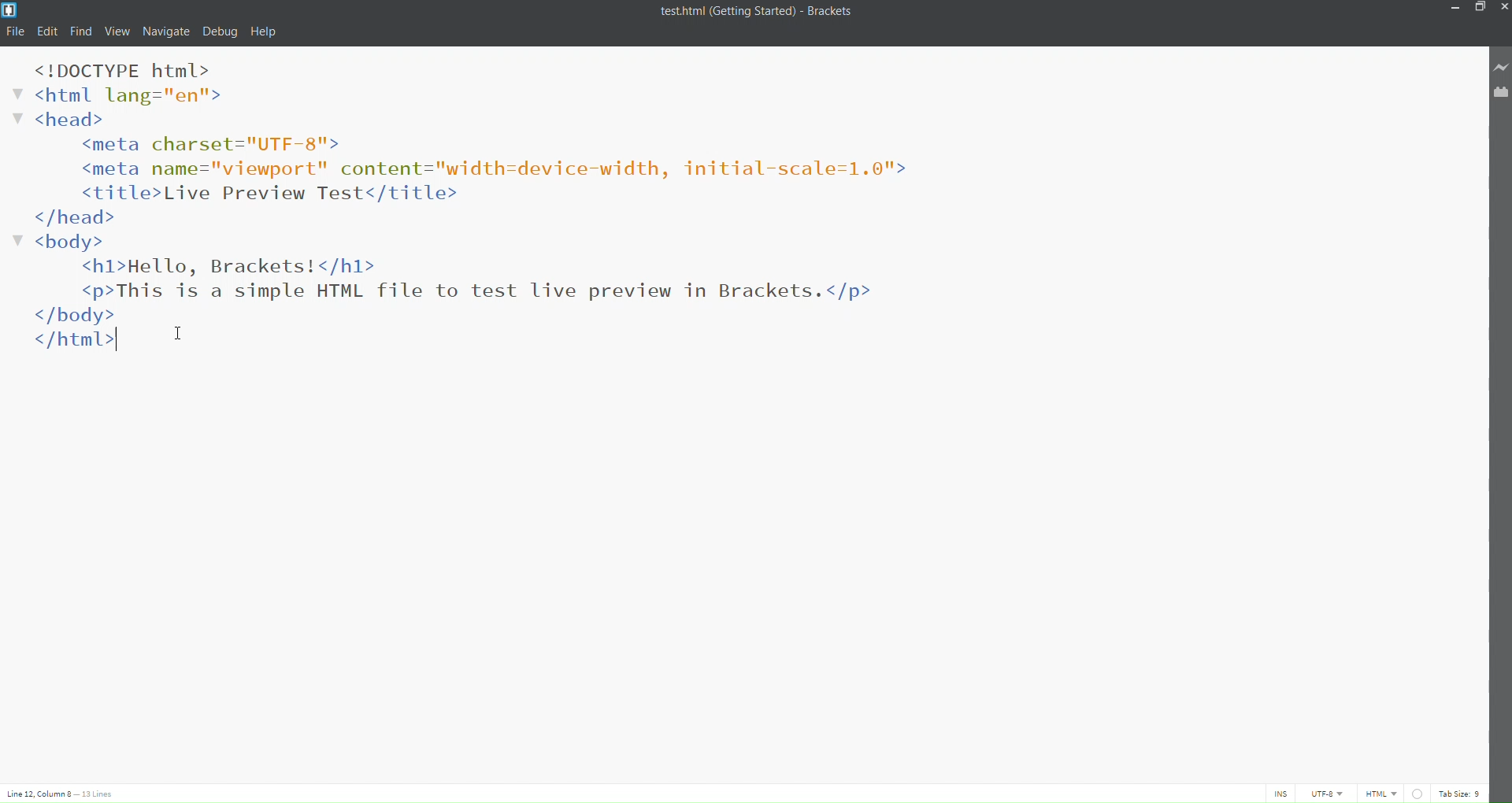 This screenshot has height=803, width=1512. What do you see at coordinates (181, 328) in the screenshot?
I see `cursor` at bounding box center [181, 328].